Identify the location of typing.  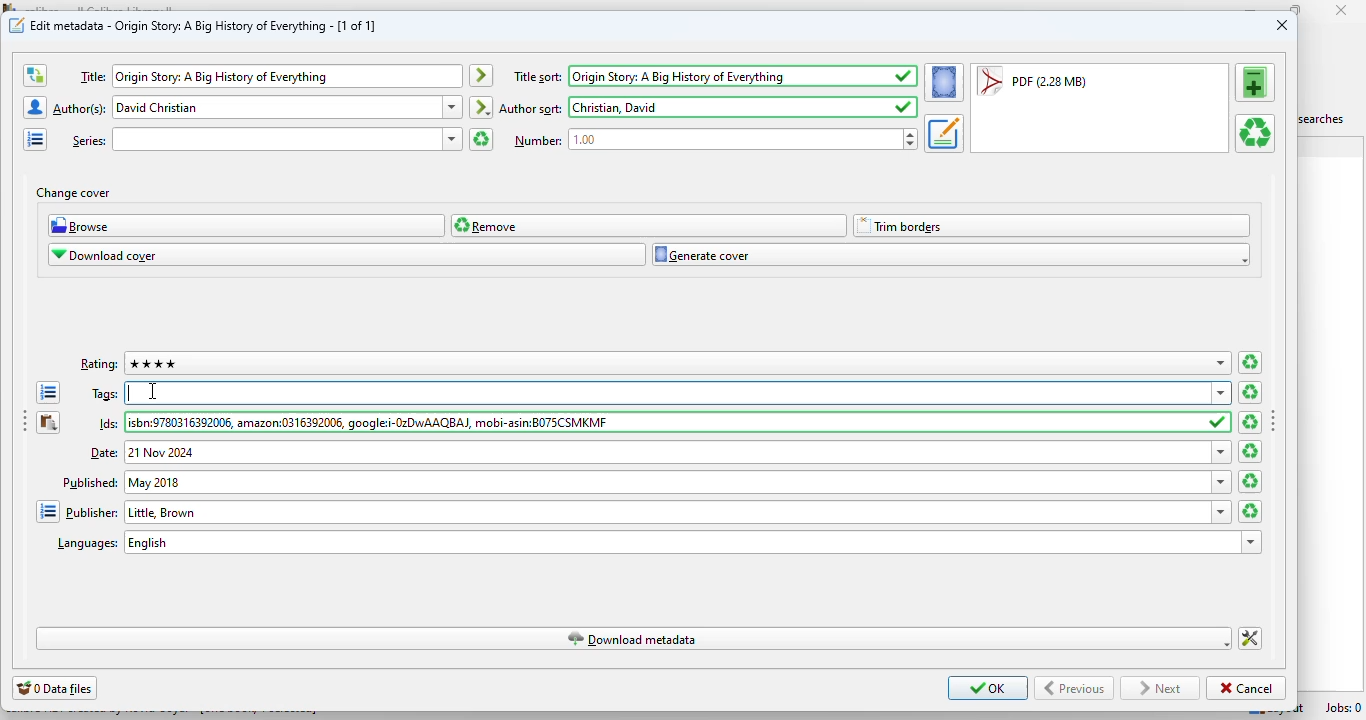
(131, 393).